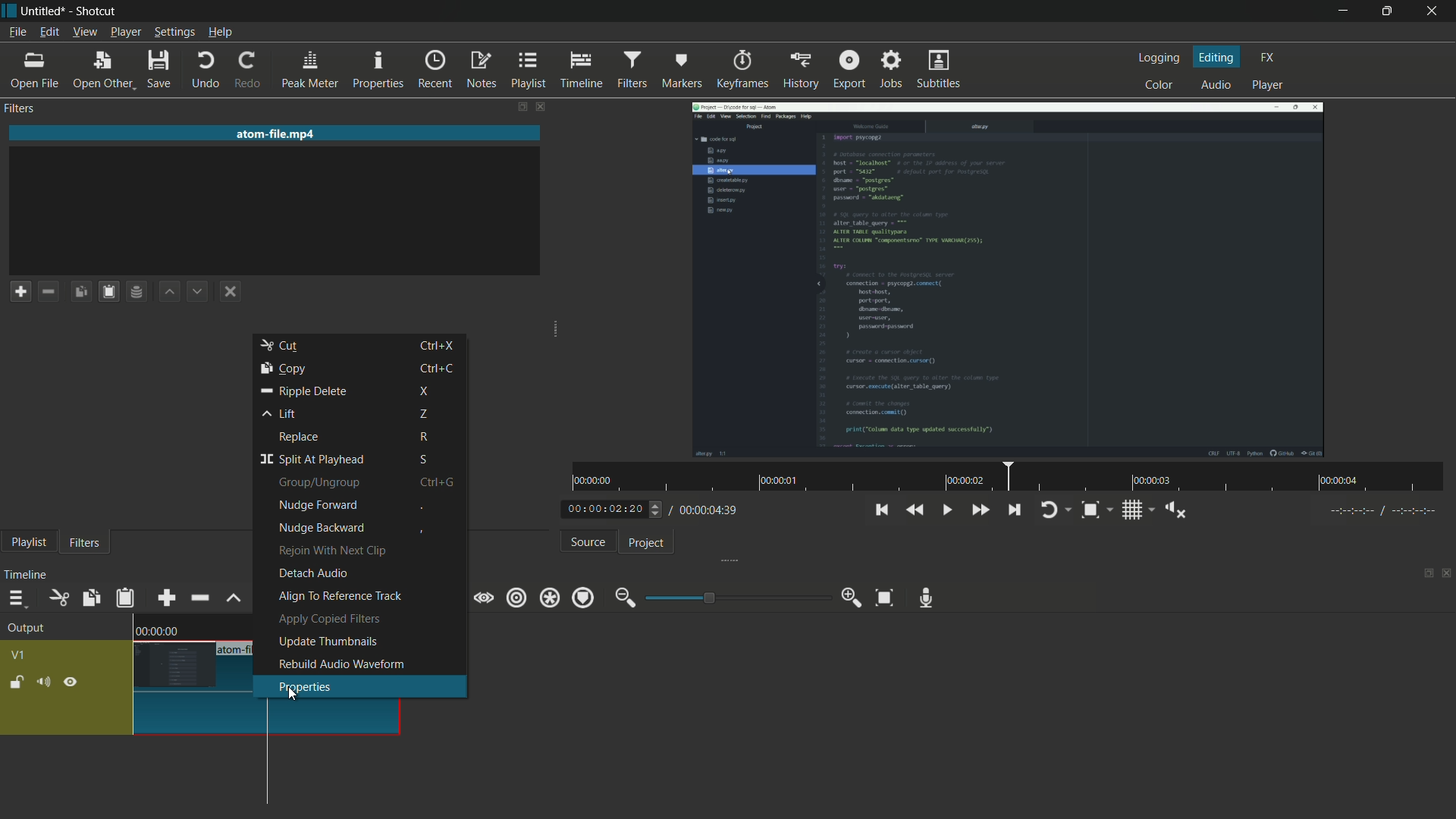 This screenshot has width=1456, height=819. I want to click on view menu, so click(86, 33).